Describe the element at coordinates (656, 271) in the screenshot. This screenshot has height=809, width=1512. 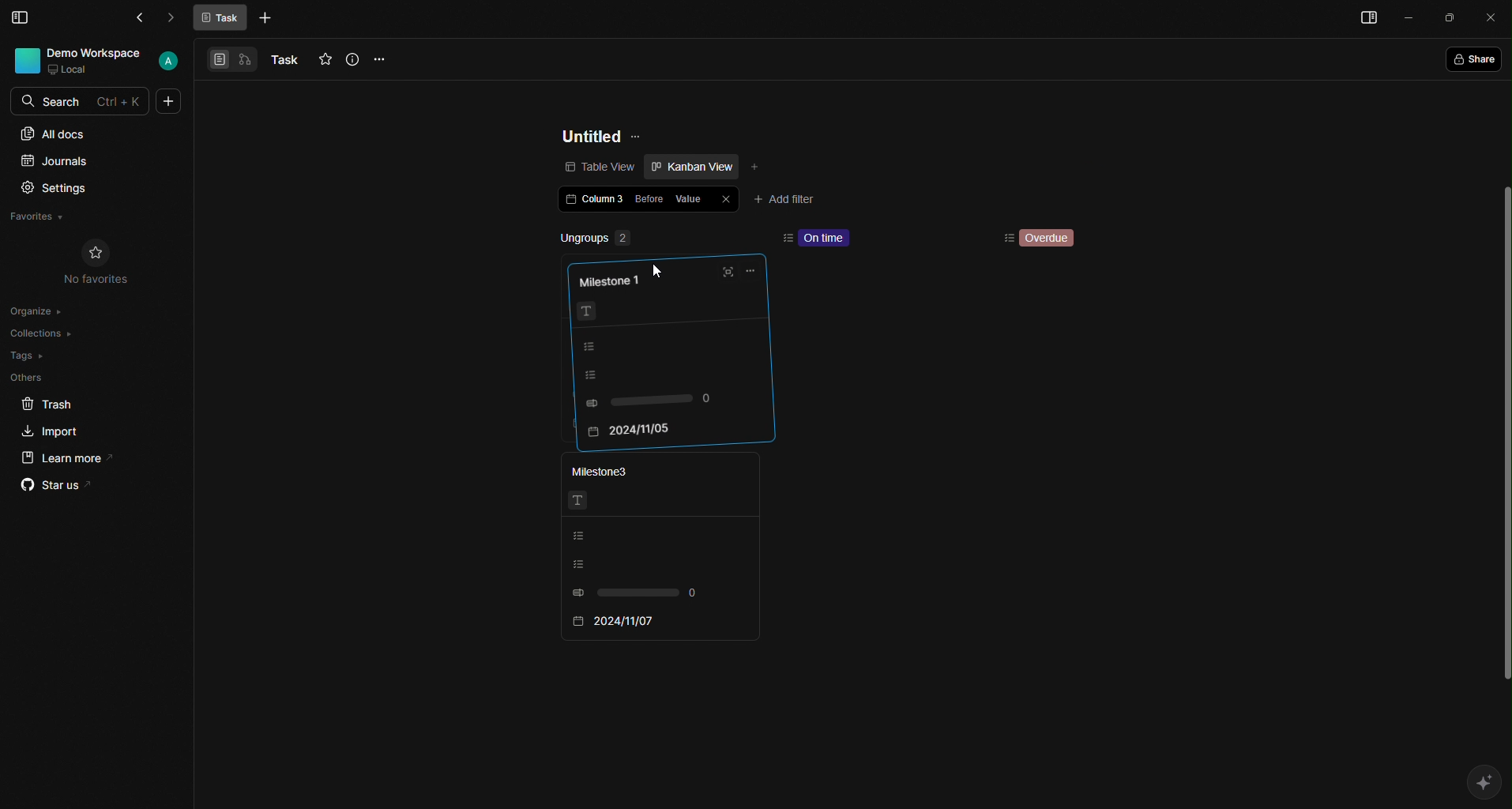
I see `Cursor` at that location.